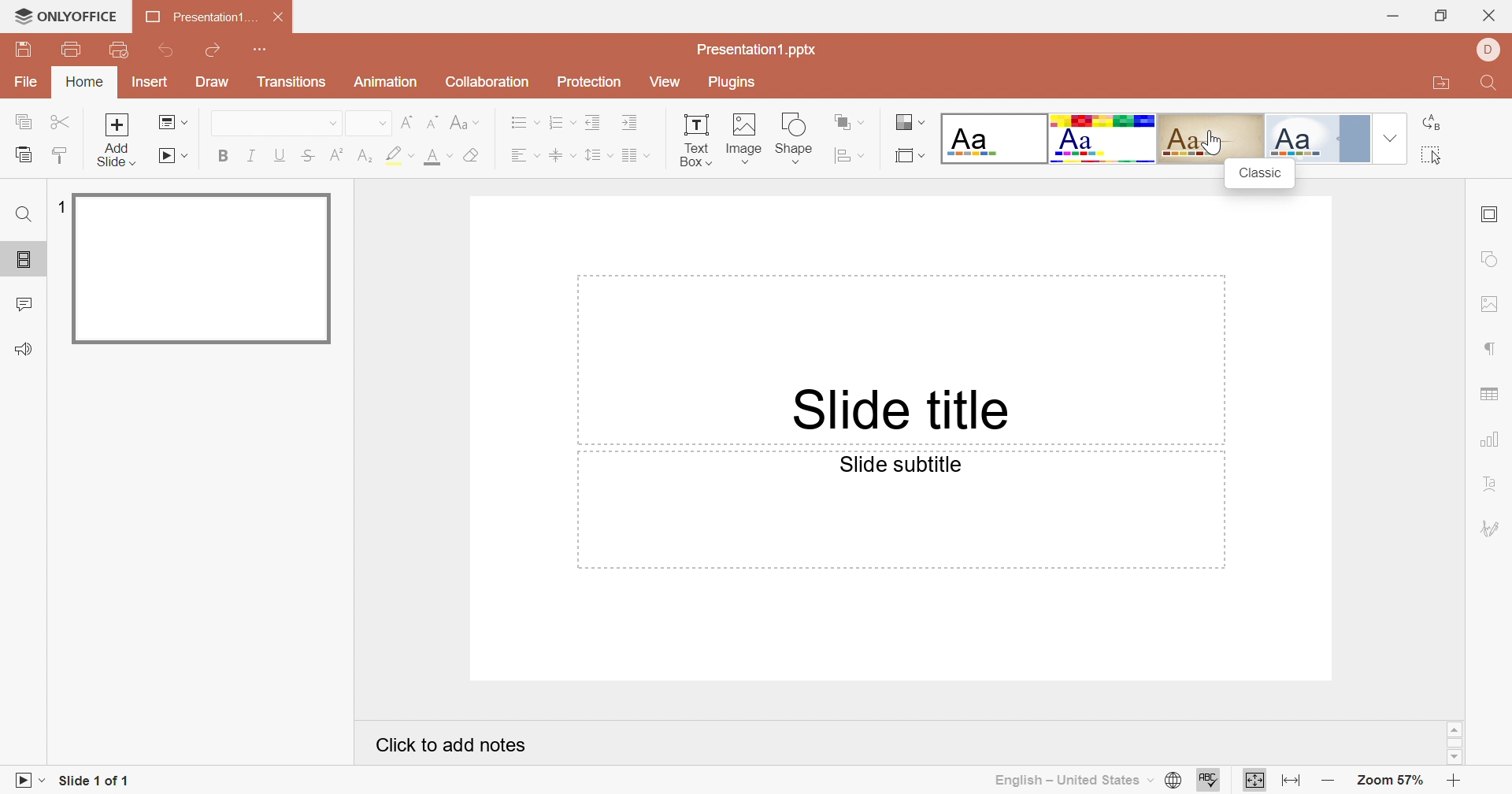 The image size is (1512, 794). Describe the element at coordinates (1255, 779) in the screenshot. I see `Fit to Slide` at that location.